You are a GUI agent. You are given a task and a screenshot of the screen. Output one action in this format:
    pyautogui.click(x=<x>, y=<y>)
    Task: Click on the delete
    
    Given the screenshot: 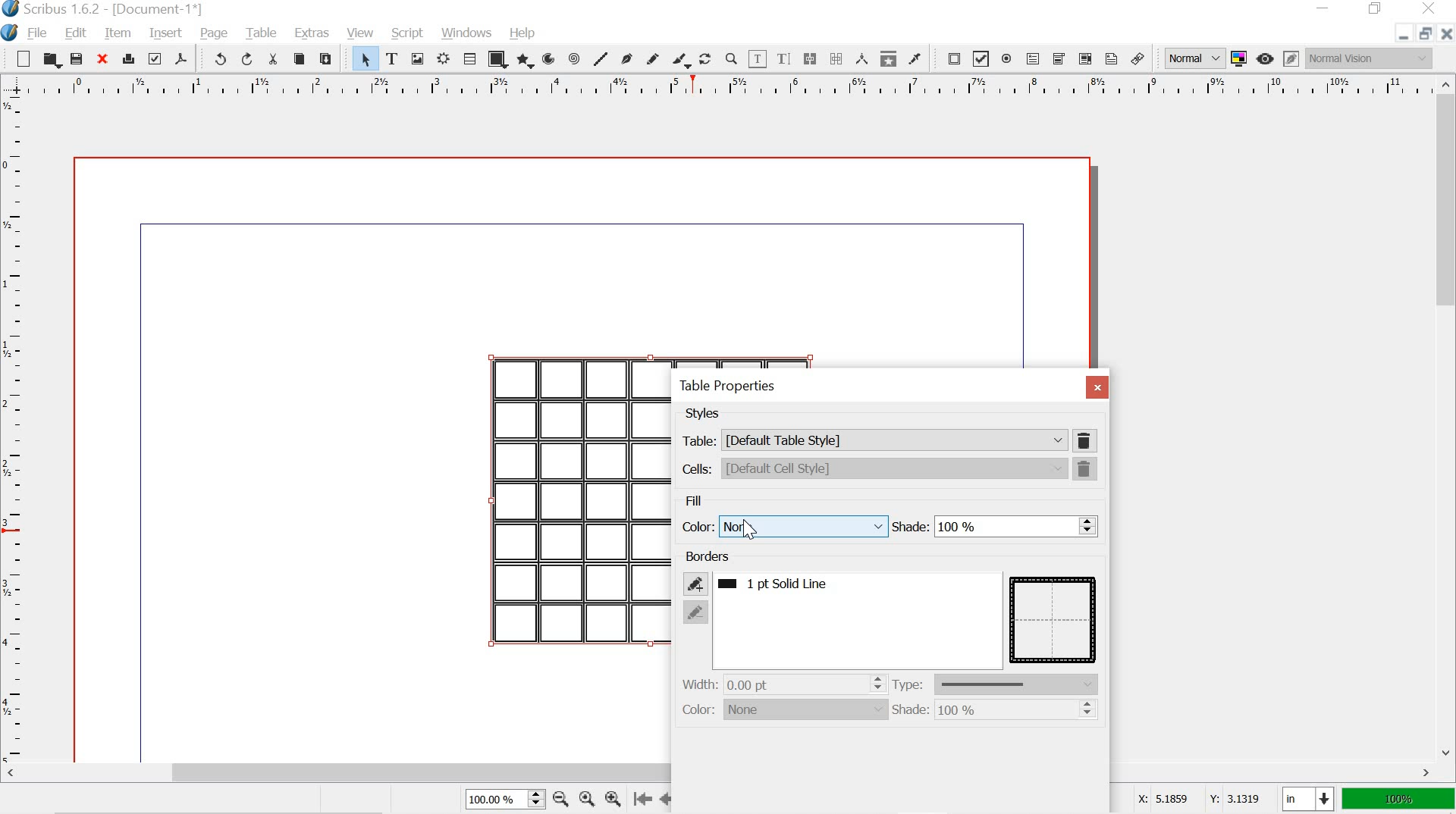 What is the action you would take?
    pyautogui.click(x=1087, y=440)
    